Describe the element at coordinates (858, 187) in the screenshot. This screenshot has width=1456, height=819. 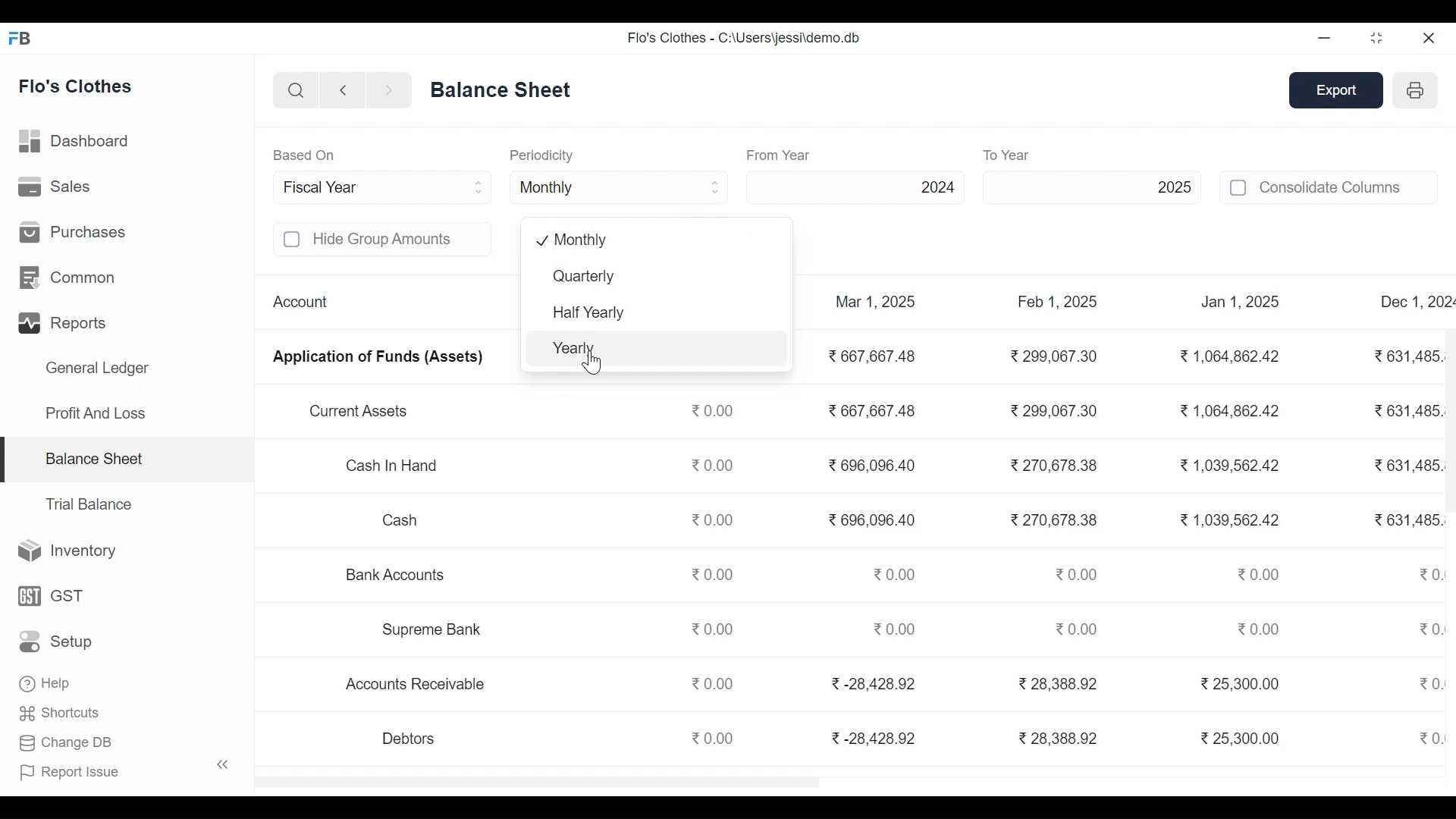
I see `2024` at that location.